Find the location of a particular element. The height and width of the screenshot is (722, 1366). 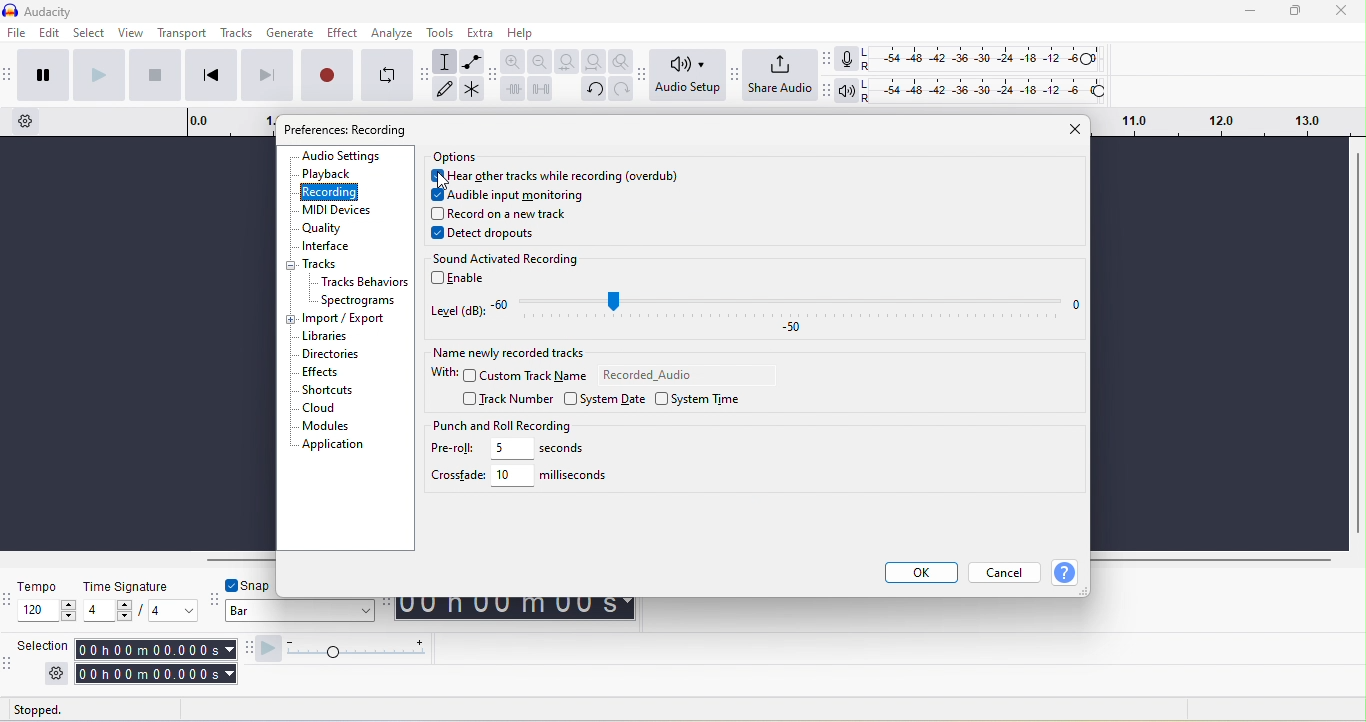

00 h 00 m 00 s is located at coordinates (156, 660).